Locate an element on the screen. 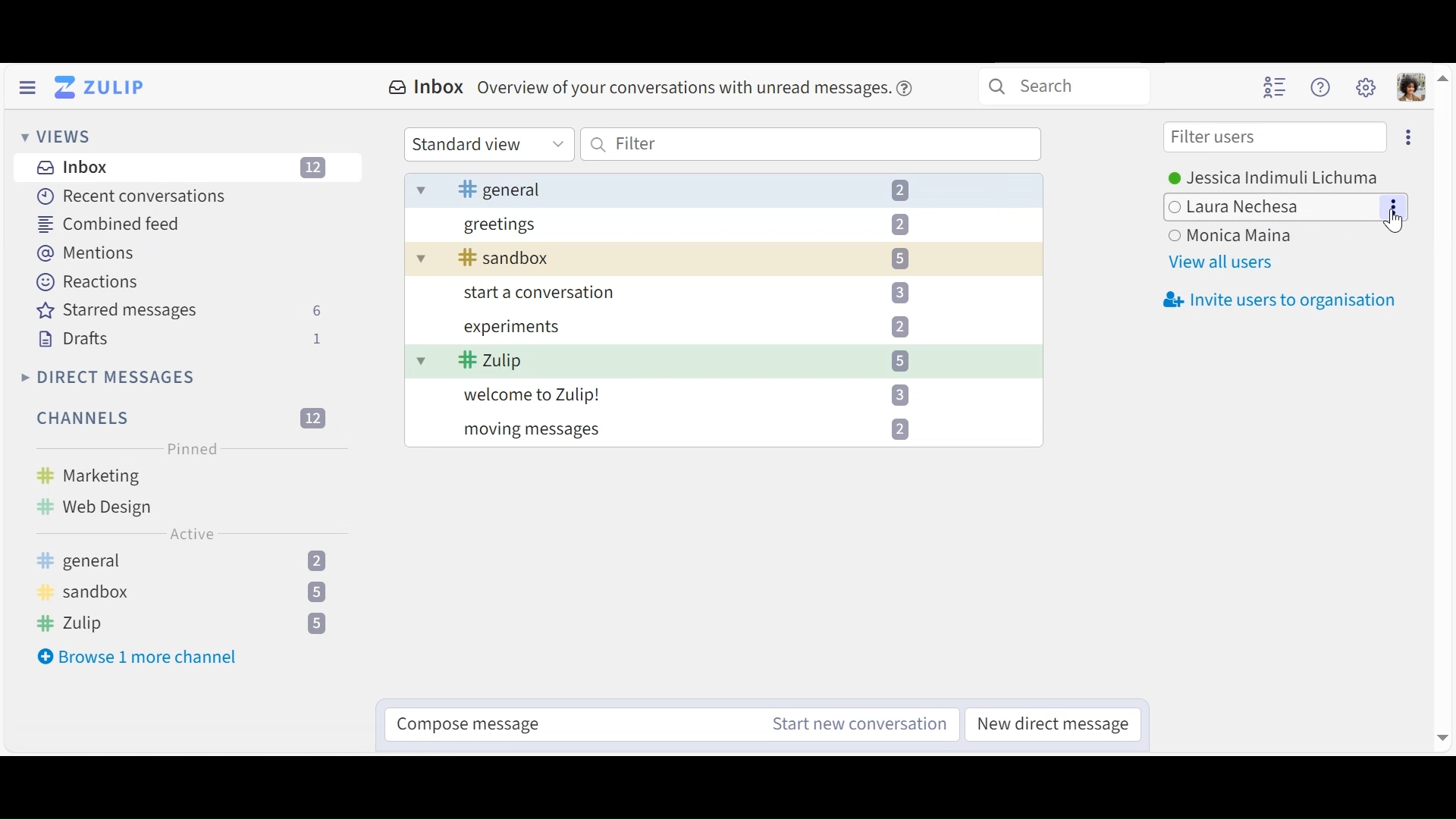 This screenshot has height=819, width=1456. Go to Home View (Inbox) is located at coordinates (102, 87).